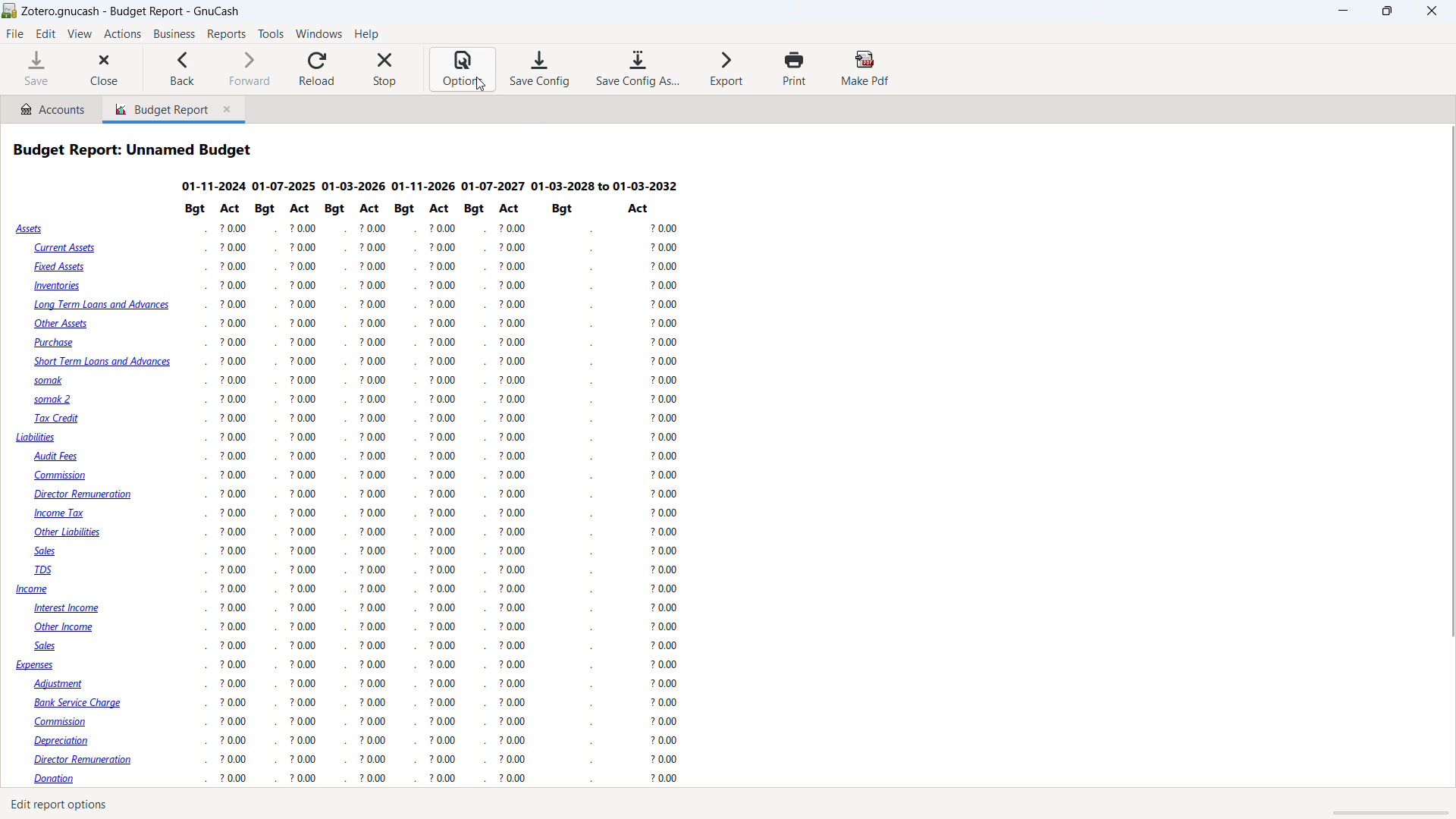  Describe the element at coordinates (430, 187) in the screenshot. I see `duration` at that location.